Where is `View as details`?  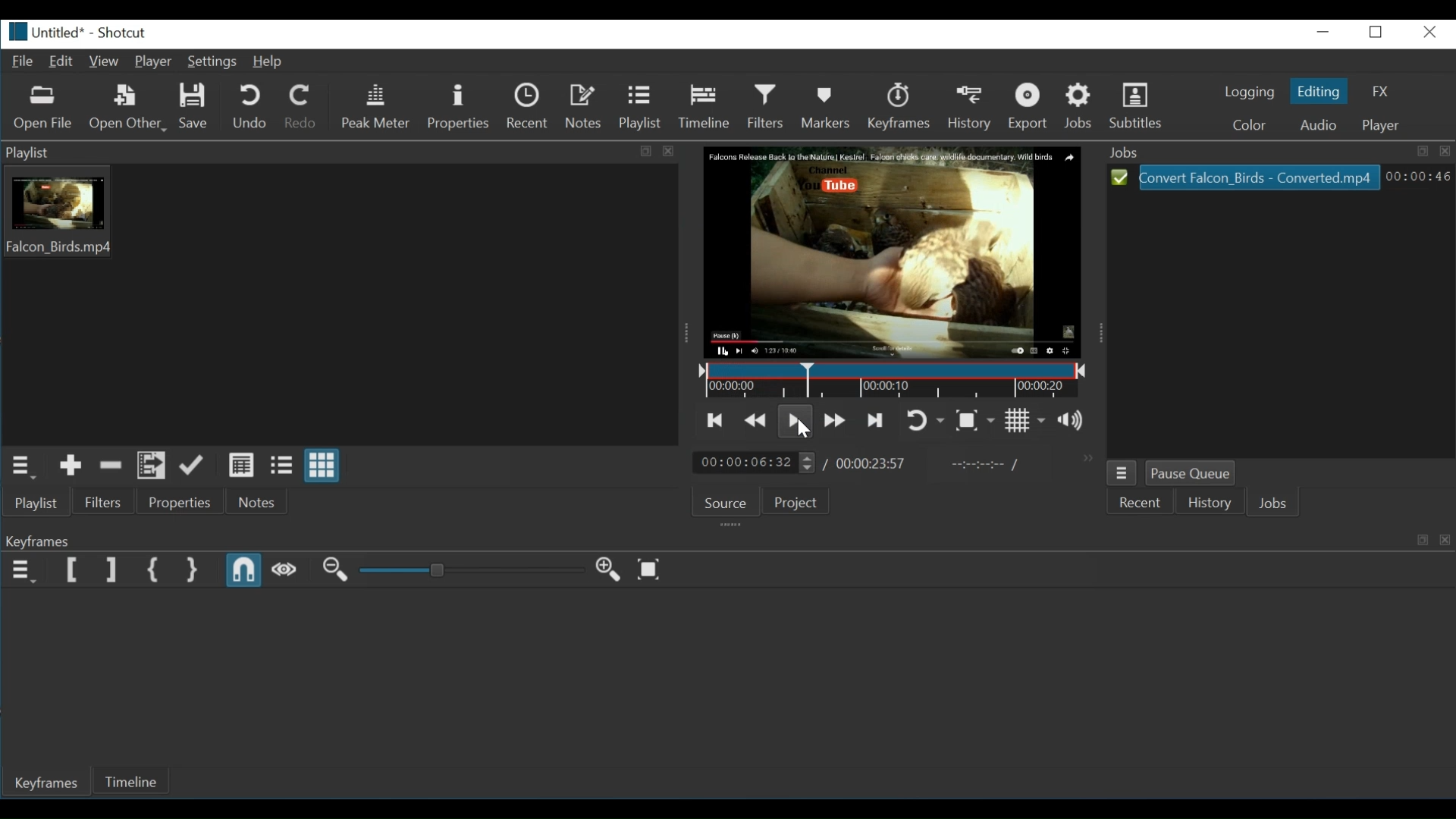
View as details is located at coordinates (242, 466).